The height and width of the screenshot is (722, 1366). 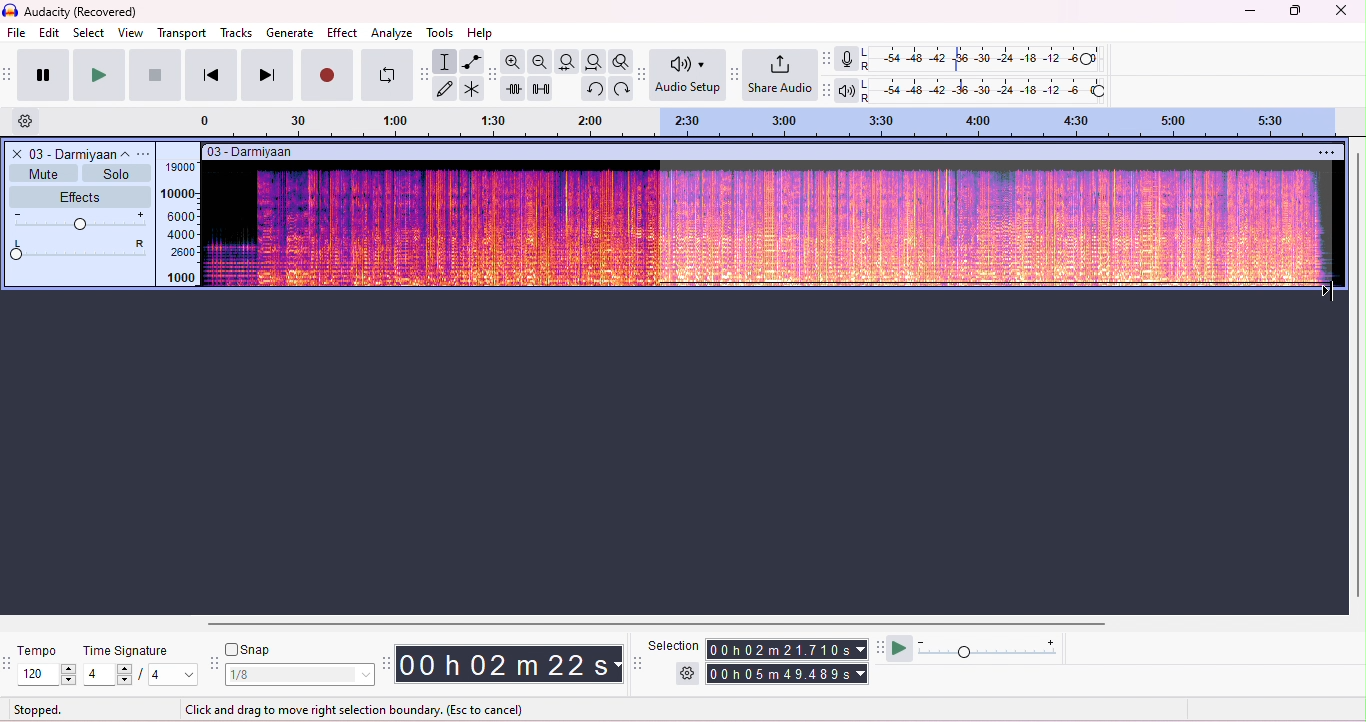 I want to click on analyze, so click(x=393, y=33).